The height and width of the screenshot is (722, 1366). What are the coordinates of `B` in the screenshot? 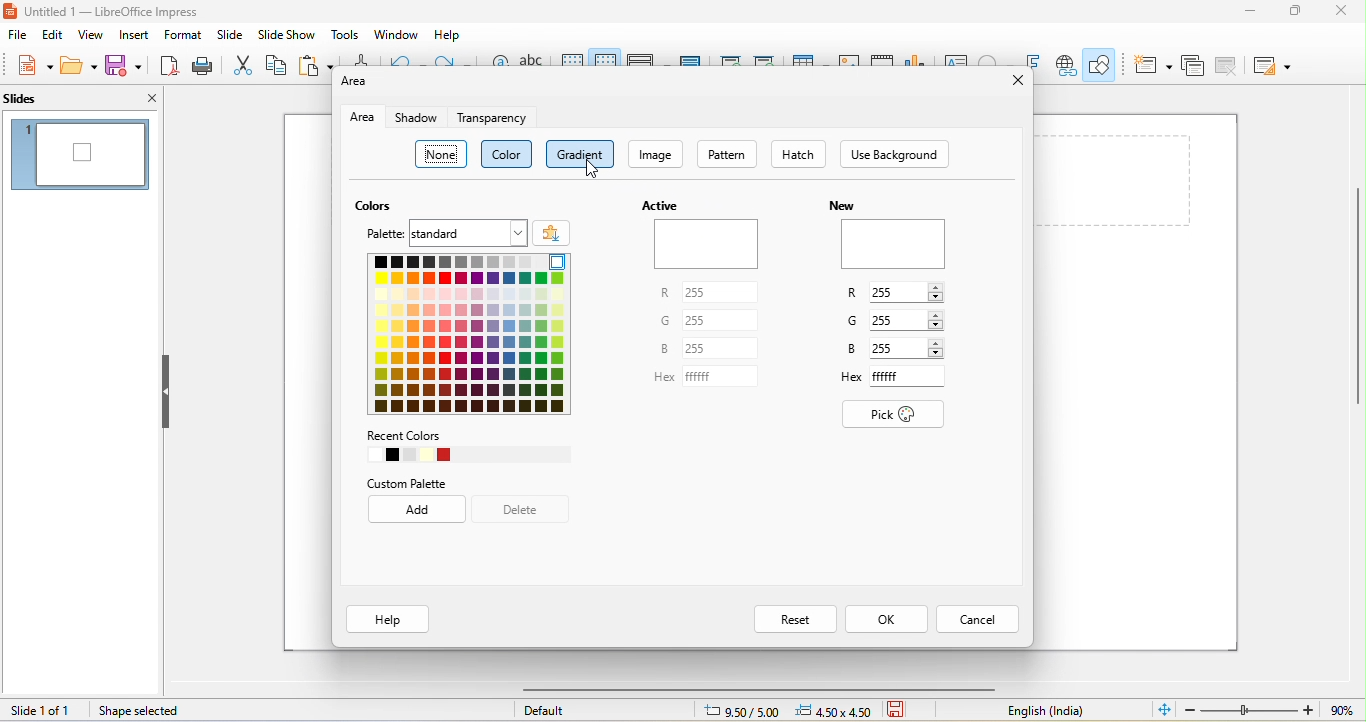 It's located at (665, 350).